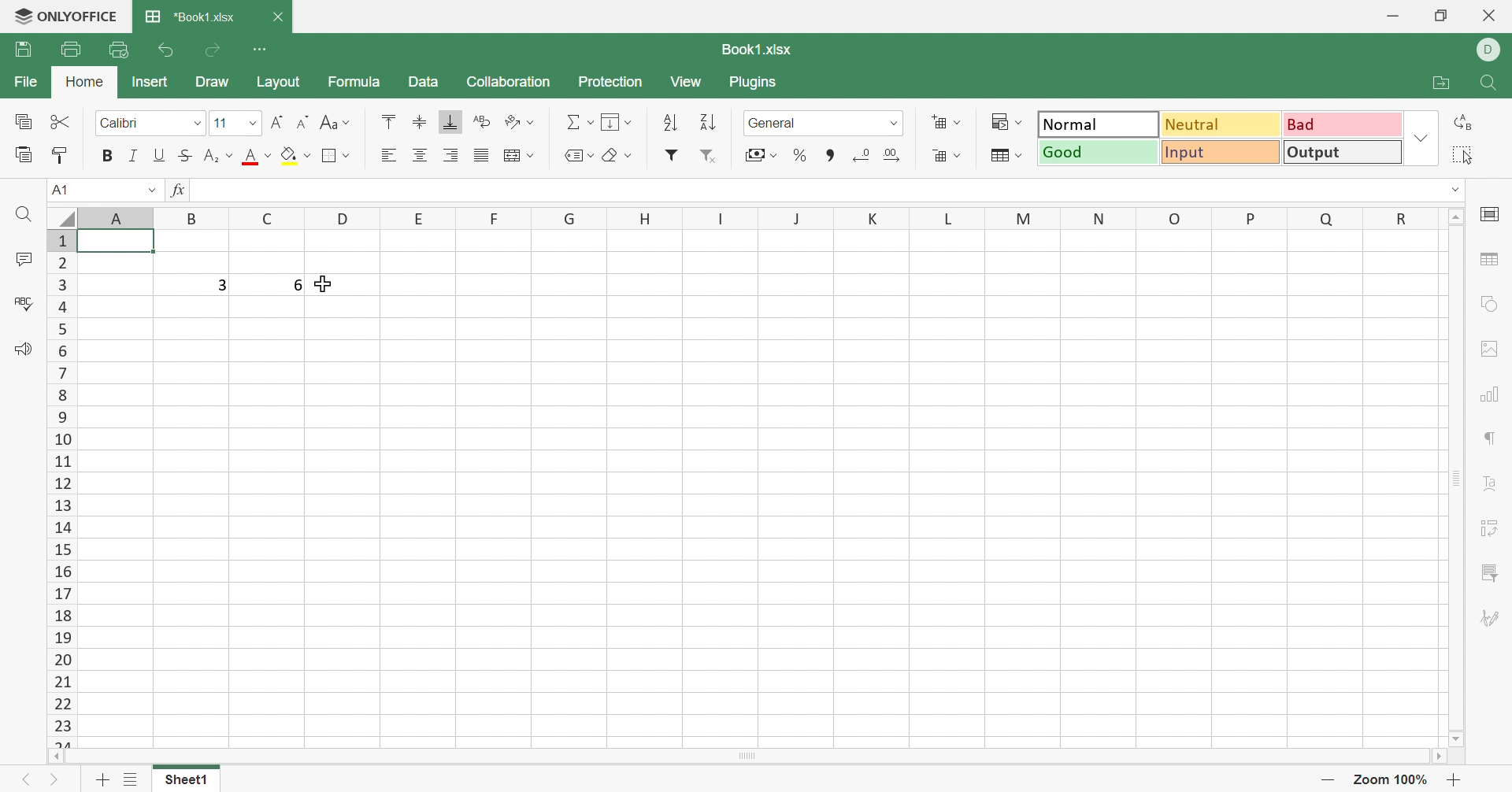  Describe the element at coordinates (450, 155) in the screenshot. I see `Align right` at that location.